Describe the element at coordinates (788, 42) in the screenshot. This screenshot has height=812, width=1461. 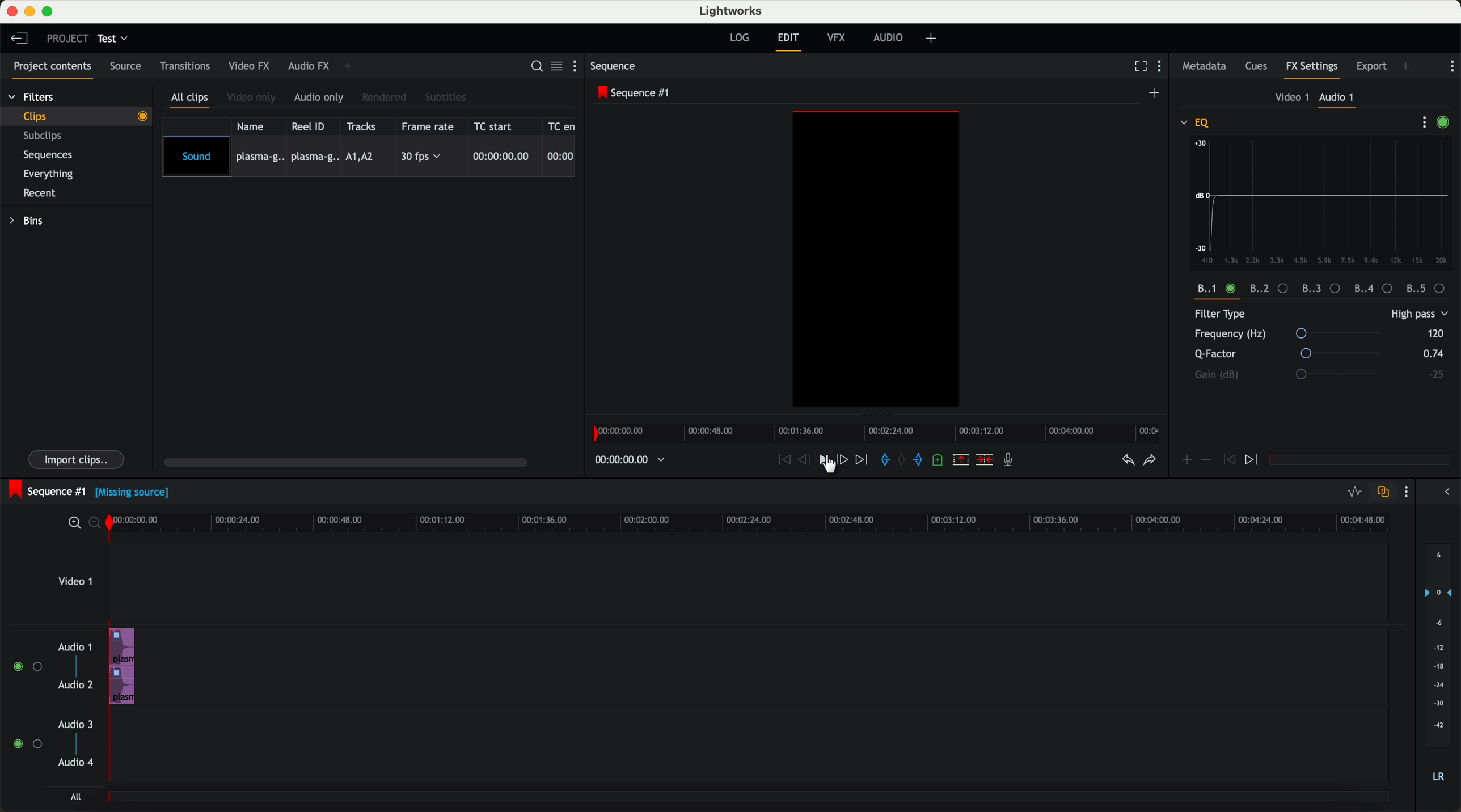
I see `exit` at that location.